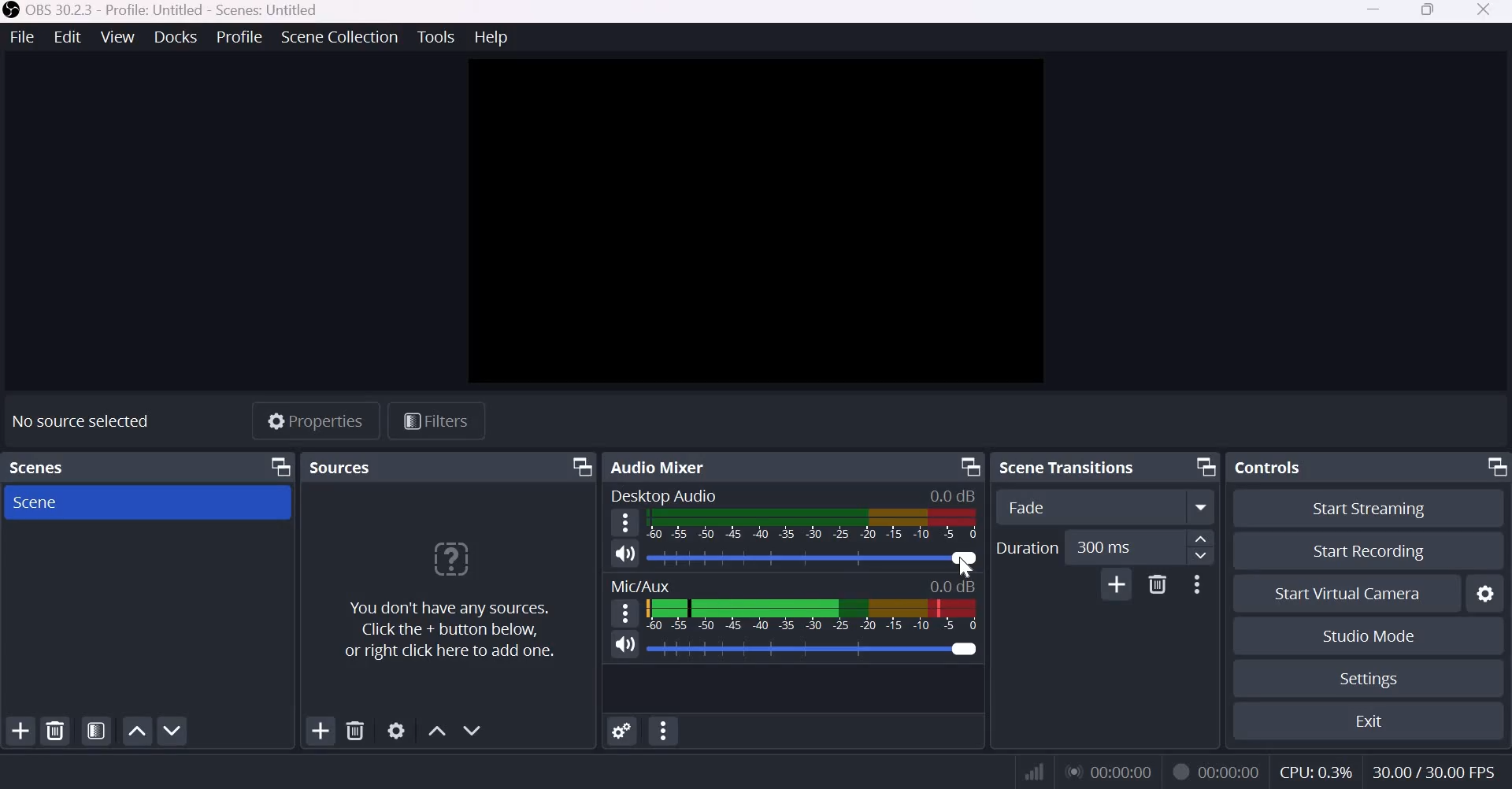 Image resolution: width=1512 pixels, height=789 pixels. I want to click on Delete Transition, so click(1157, 584).